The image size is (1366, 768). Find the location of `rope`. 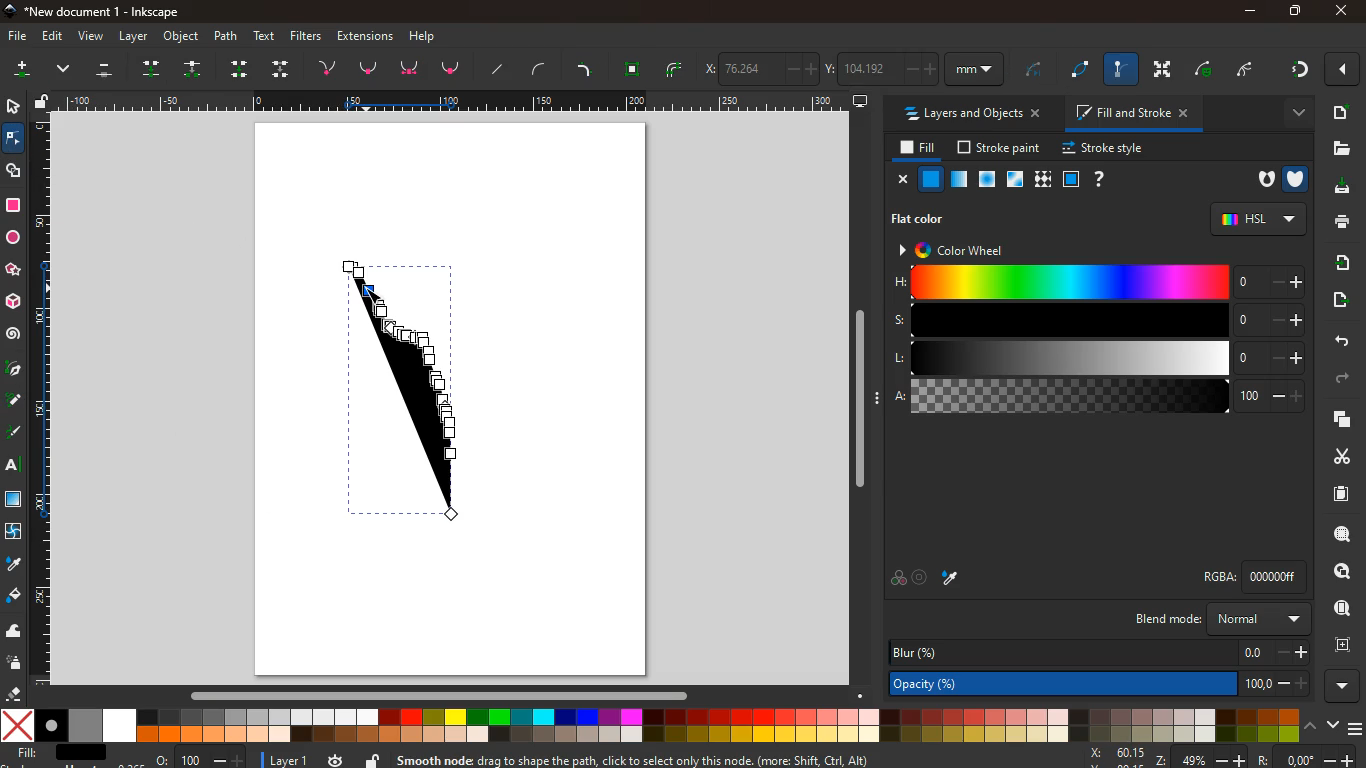

rope is located at coordinates (1083, 70).